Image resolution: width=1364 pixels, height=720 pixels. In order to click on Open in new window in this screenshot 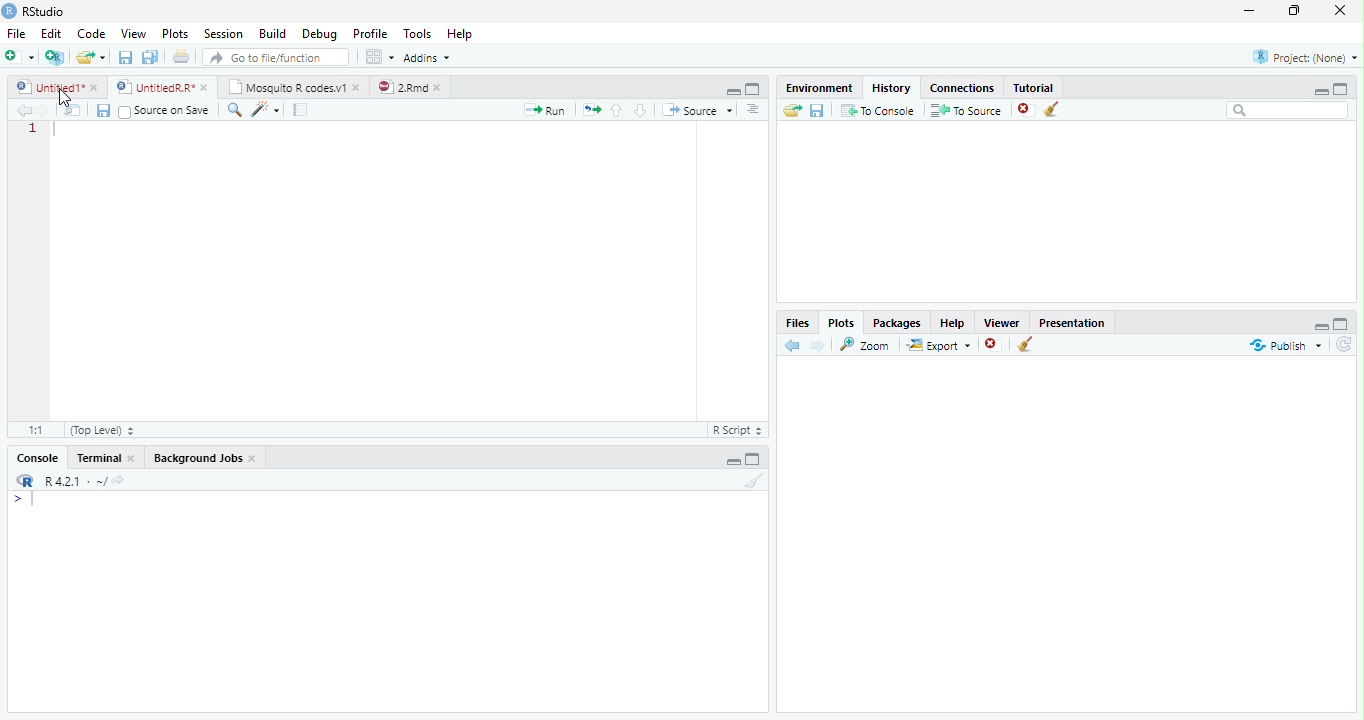, I will do `click(73, 110)`.